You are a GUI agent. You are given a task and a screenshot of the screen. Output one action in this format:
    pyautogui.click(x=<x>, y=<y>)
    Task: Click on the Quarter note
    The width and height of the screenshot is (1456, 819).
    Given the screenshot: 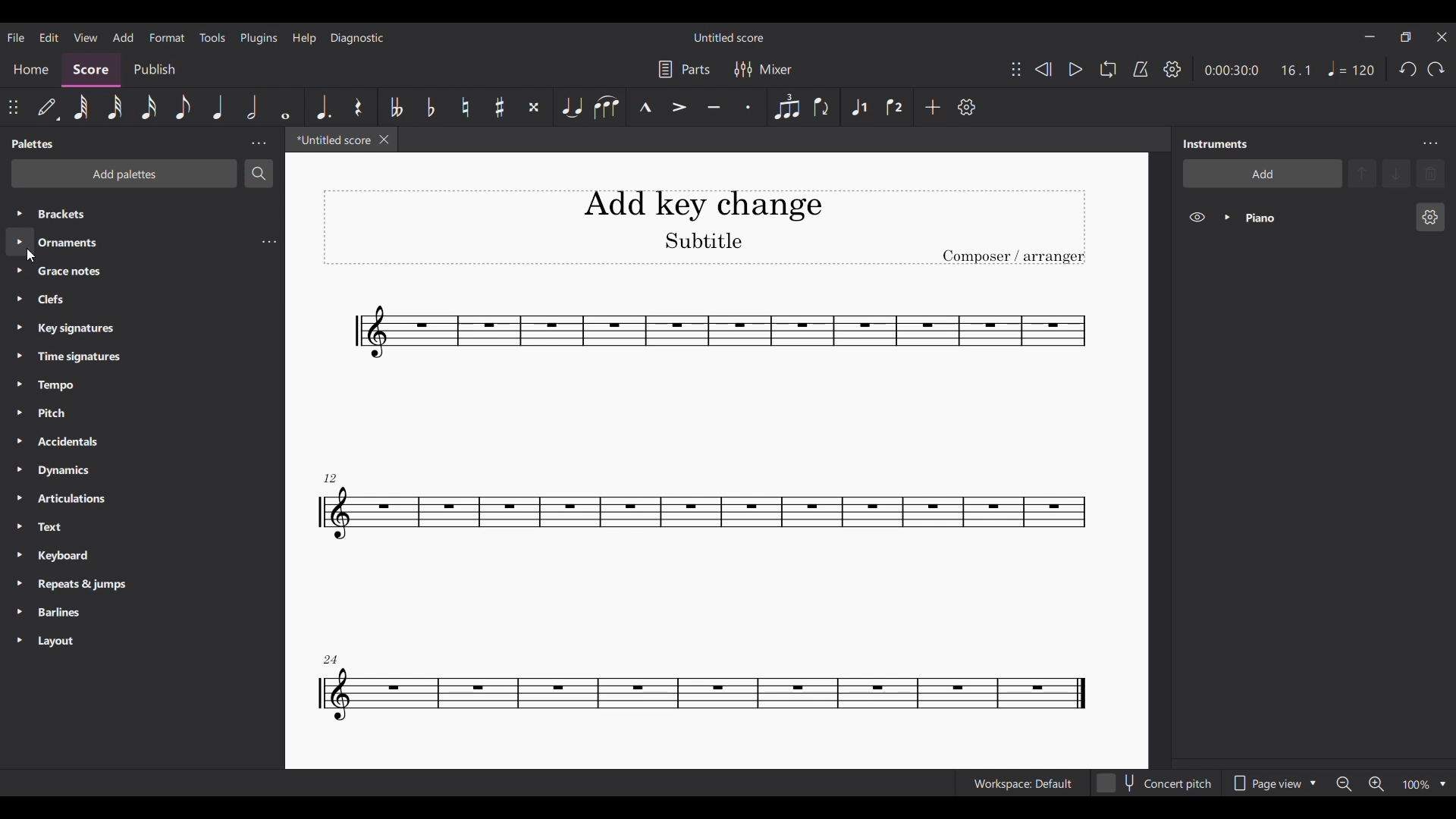 What is the action you would take?
    pyautogui.click(x=218, y=106)
    